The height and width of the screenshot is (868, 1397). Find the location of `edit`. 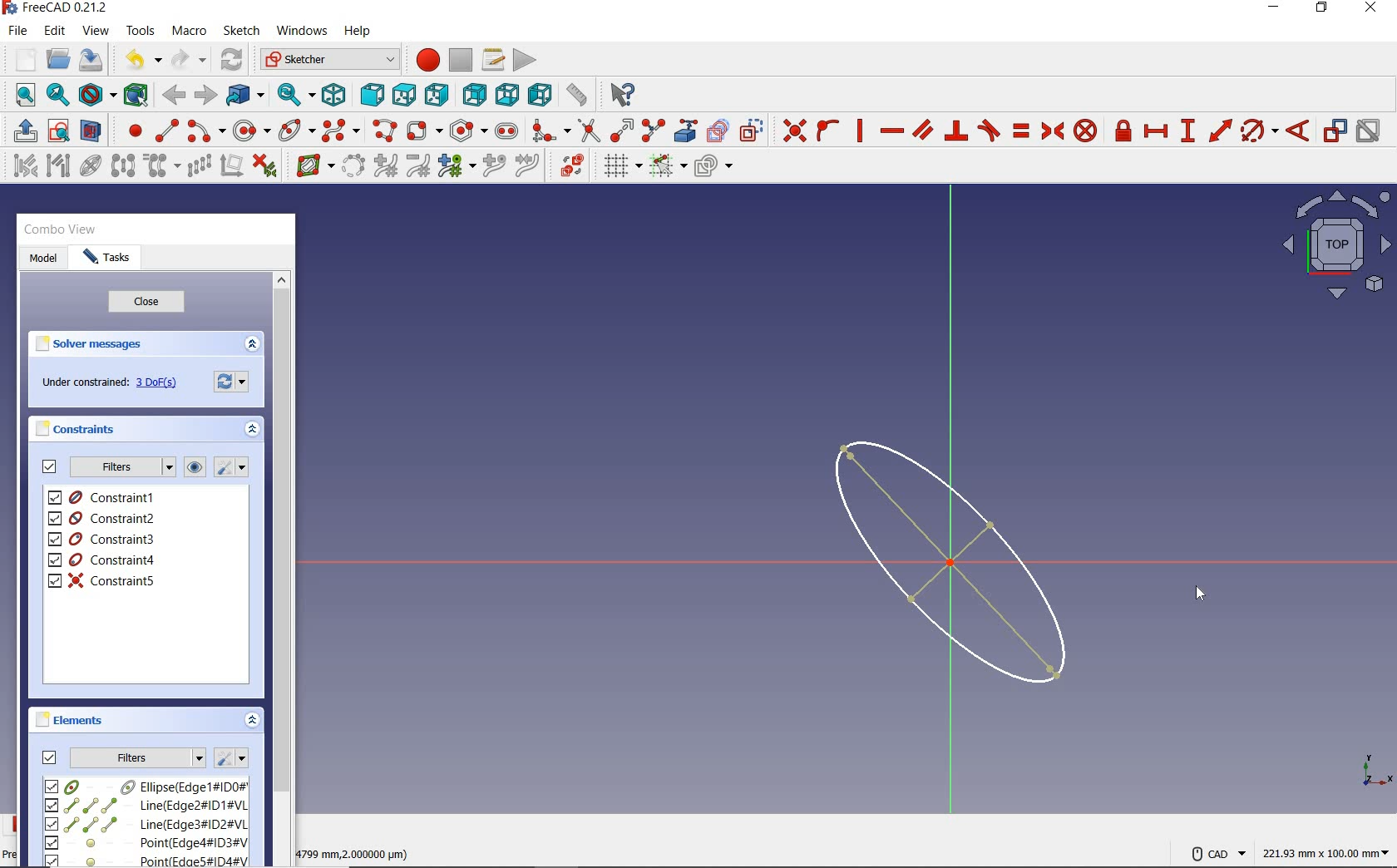

edit is located at coordinates (54, 32).